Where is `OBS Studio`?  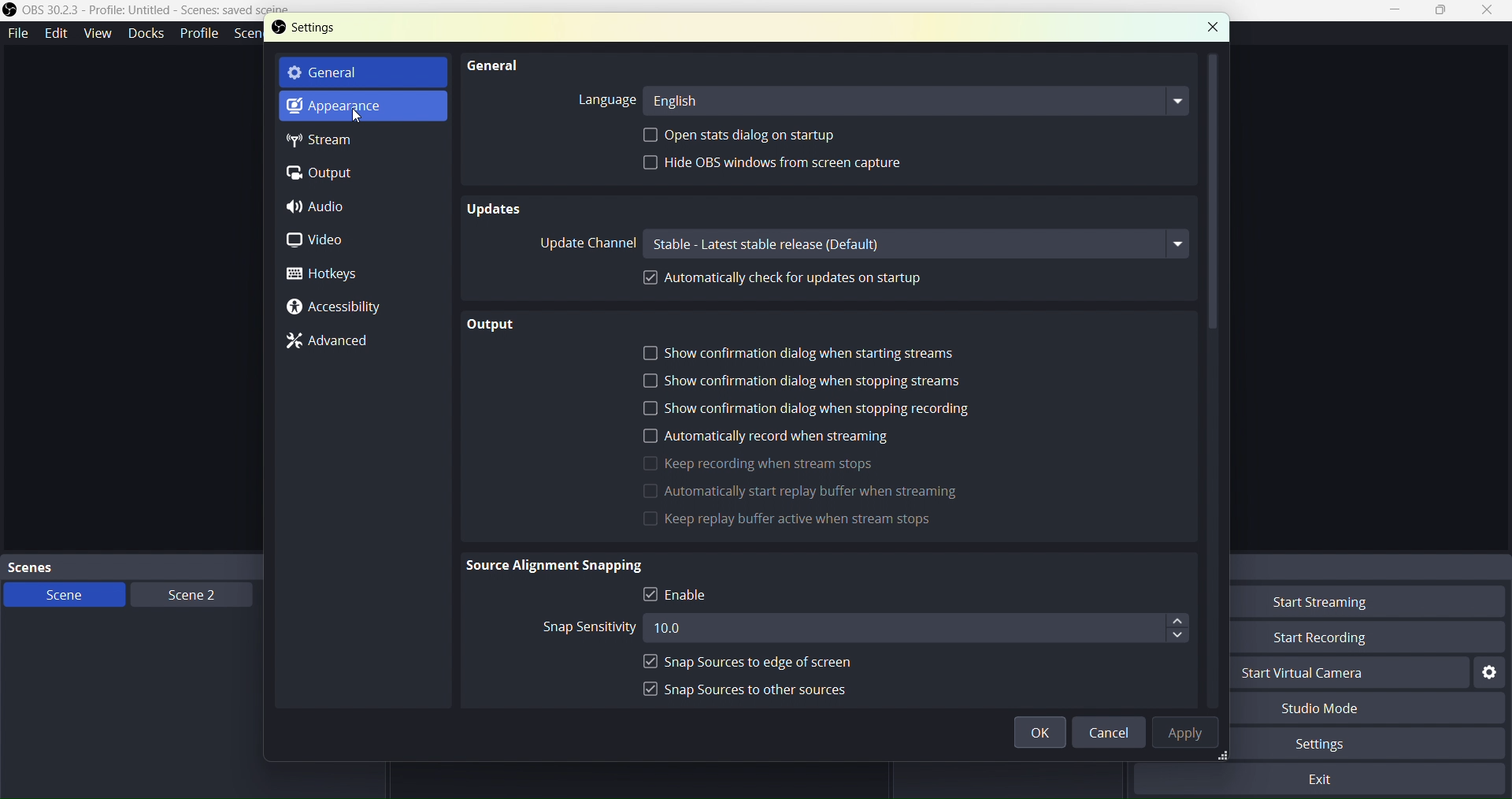 OBS Studio is located at coordinates (151, 13).